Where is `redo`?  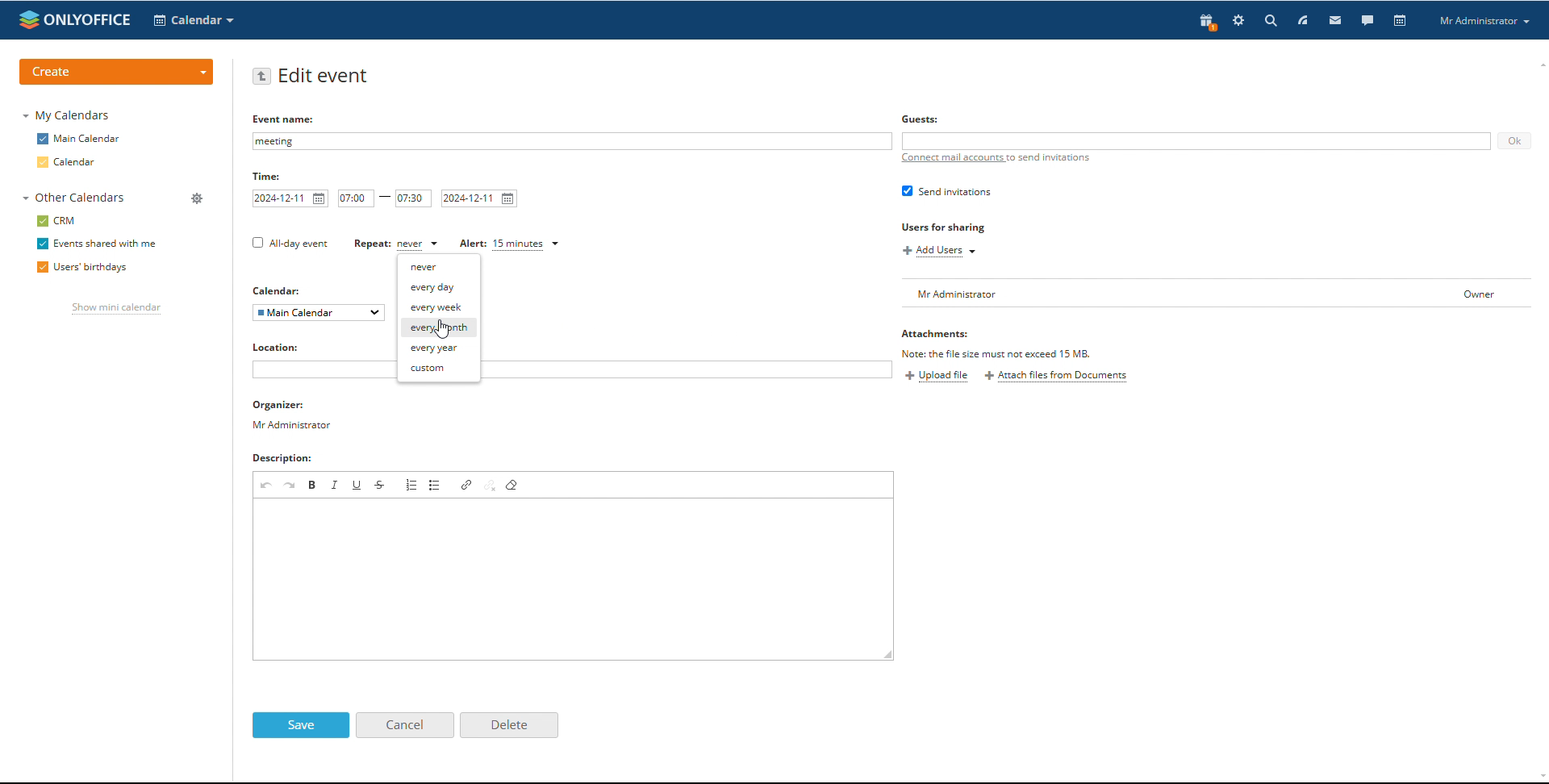
redo is located at coordinates (290, 484).